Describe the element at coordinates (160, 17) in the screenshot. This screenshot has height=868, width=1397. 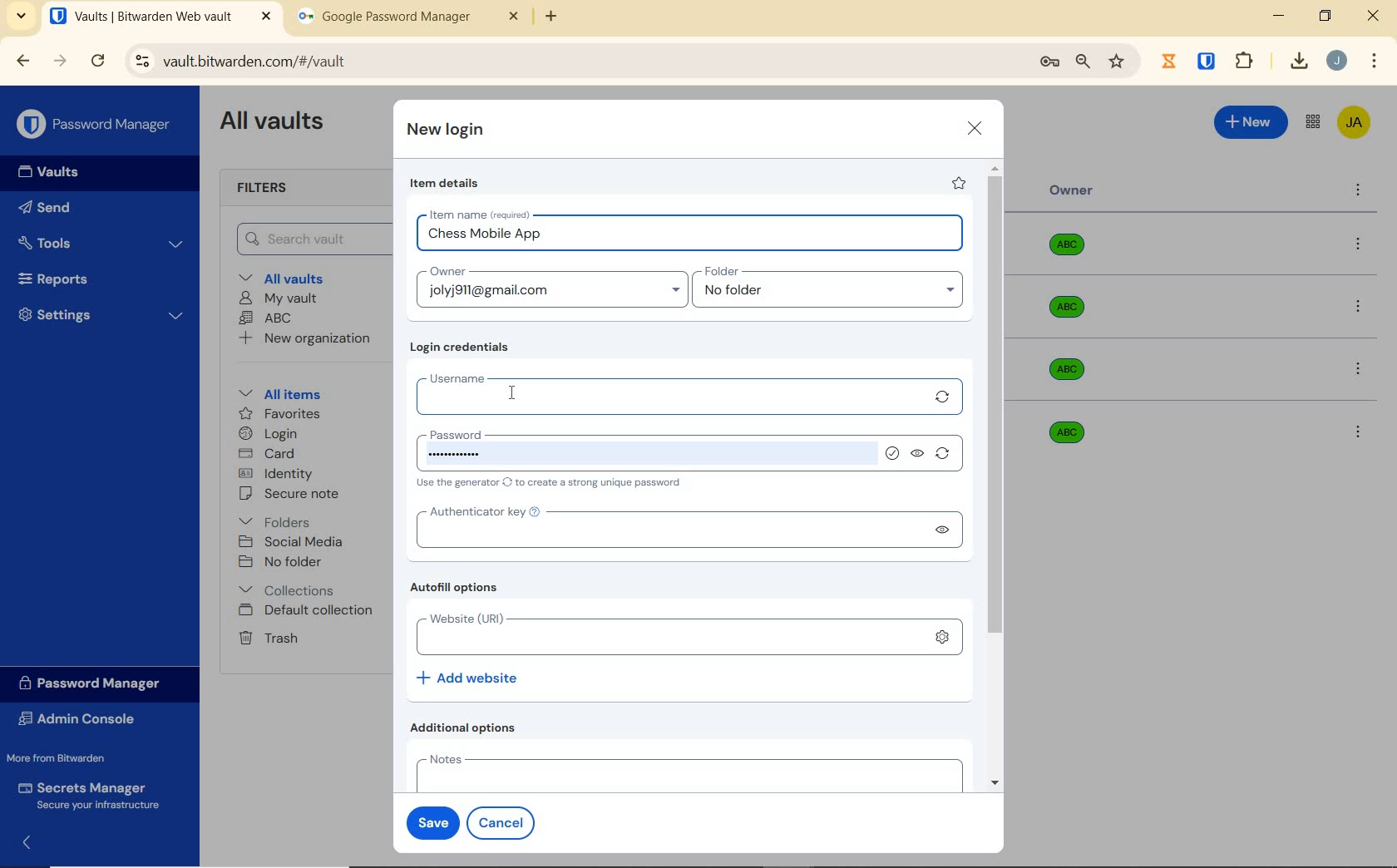
I see `open tab` at that location.